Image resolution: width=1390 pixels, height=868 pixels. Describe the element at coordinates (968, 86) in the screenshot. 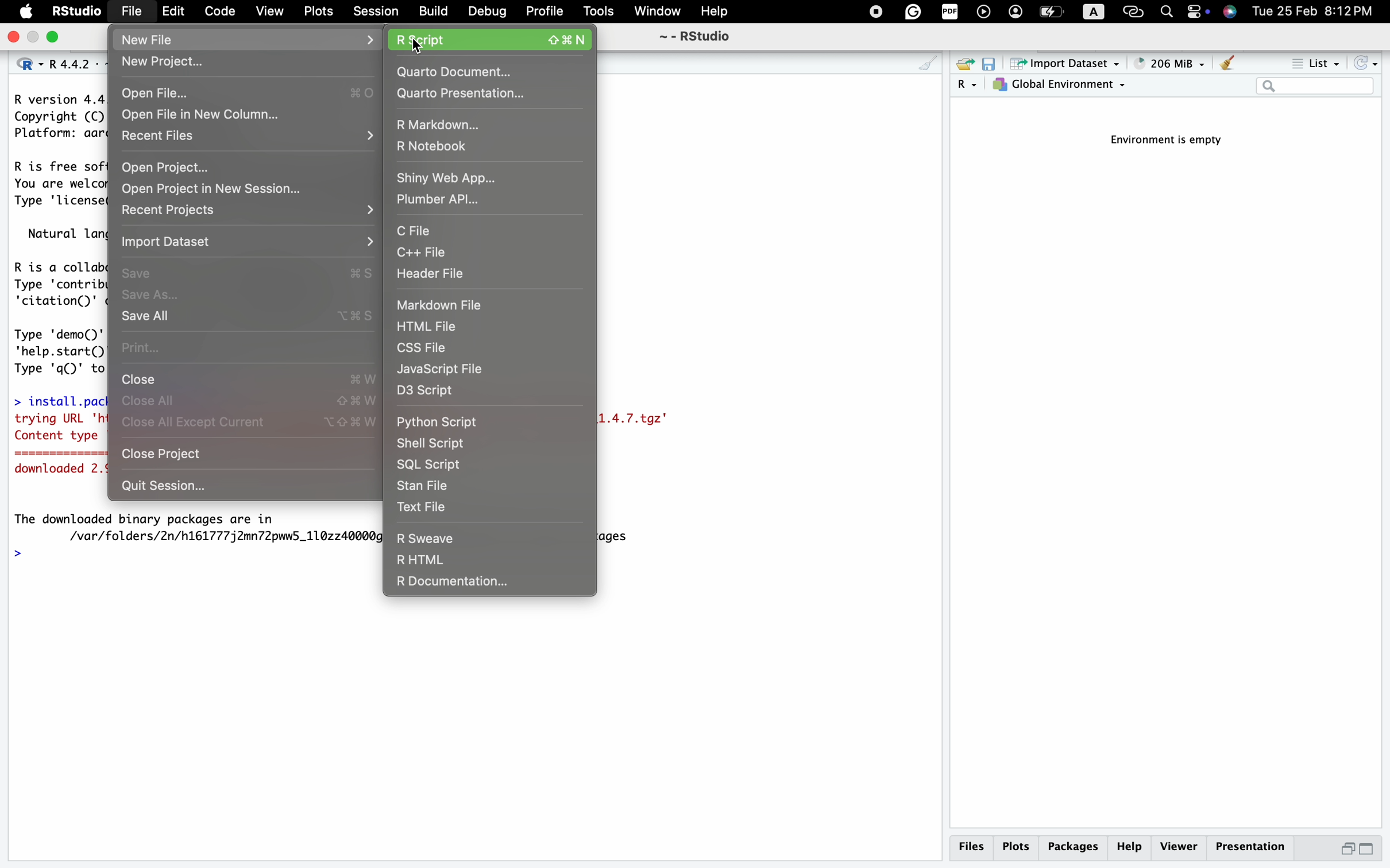

I see `language select` at that location.